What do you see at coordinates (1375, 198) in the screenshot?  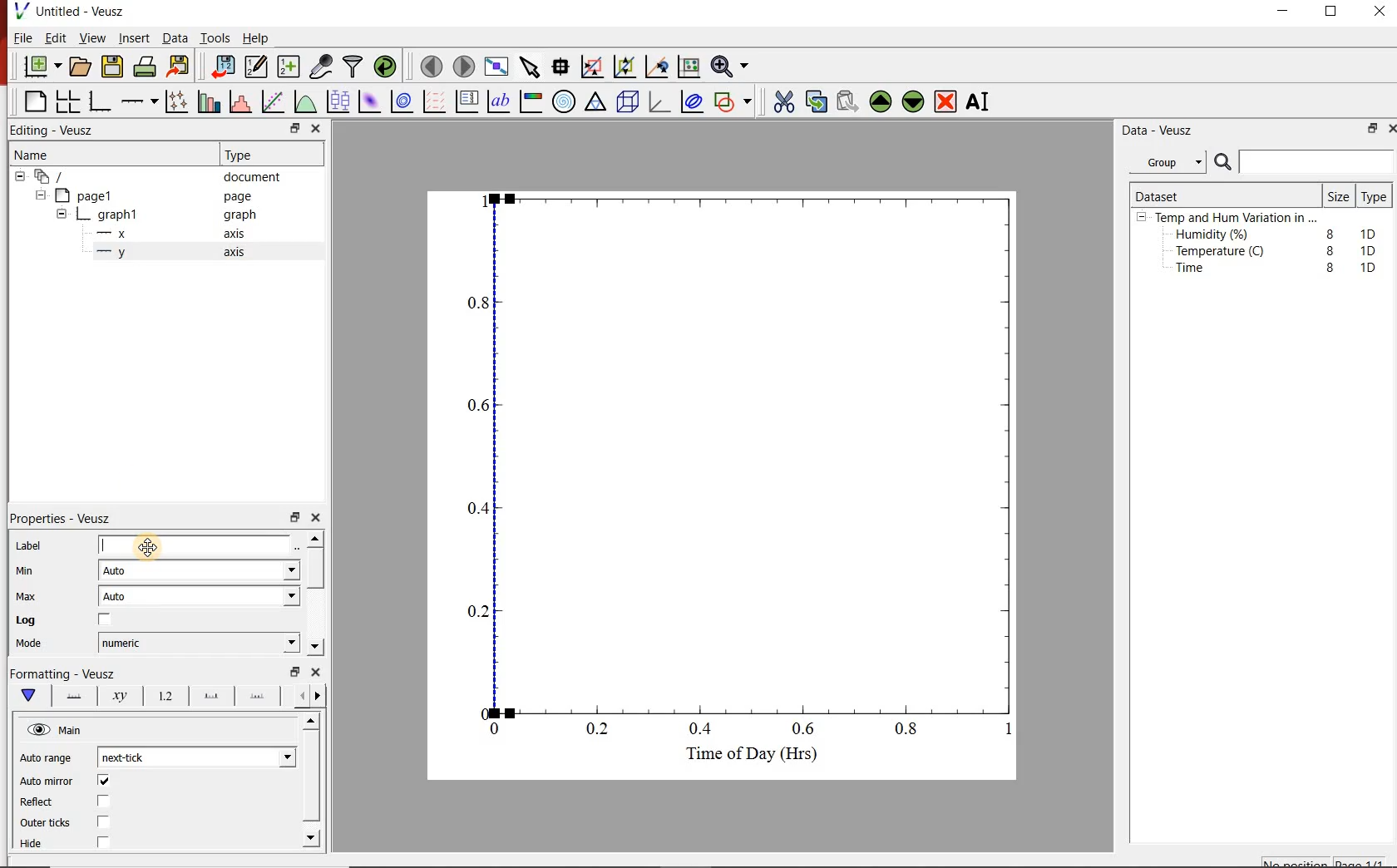 I see `Type` at bounding box center [1375, 198].